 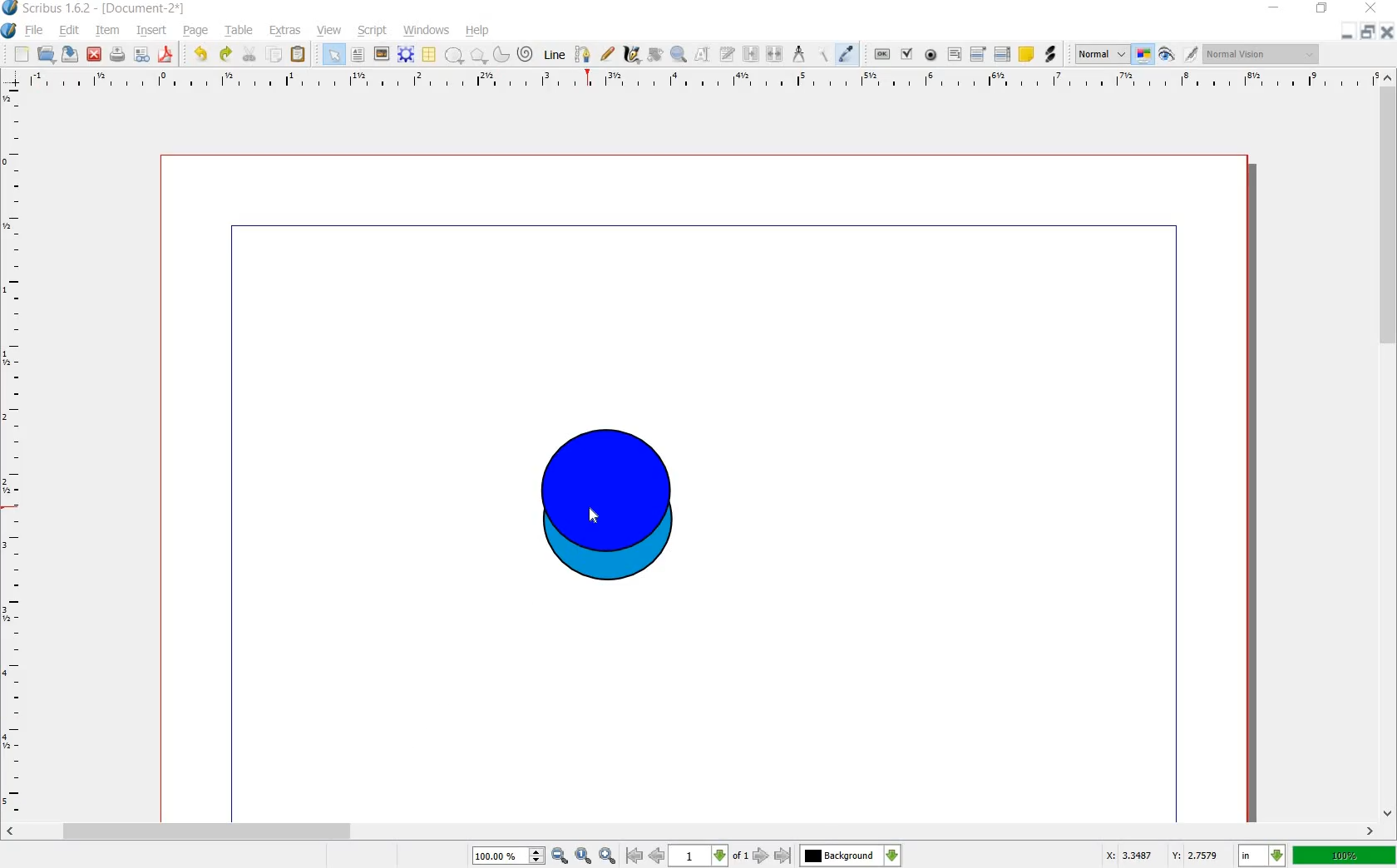 What do you see at coordinates (72, 32) in the screenshot?
I see `edit` at bounding box center [72, 32].